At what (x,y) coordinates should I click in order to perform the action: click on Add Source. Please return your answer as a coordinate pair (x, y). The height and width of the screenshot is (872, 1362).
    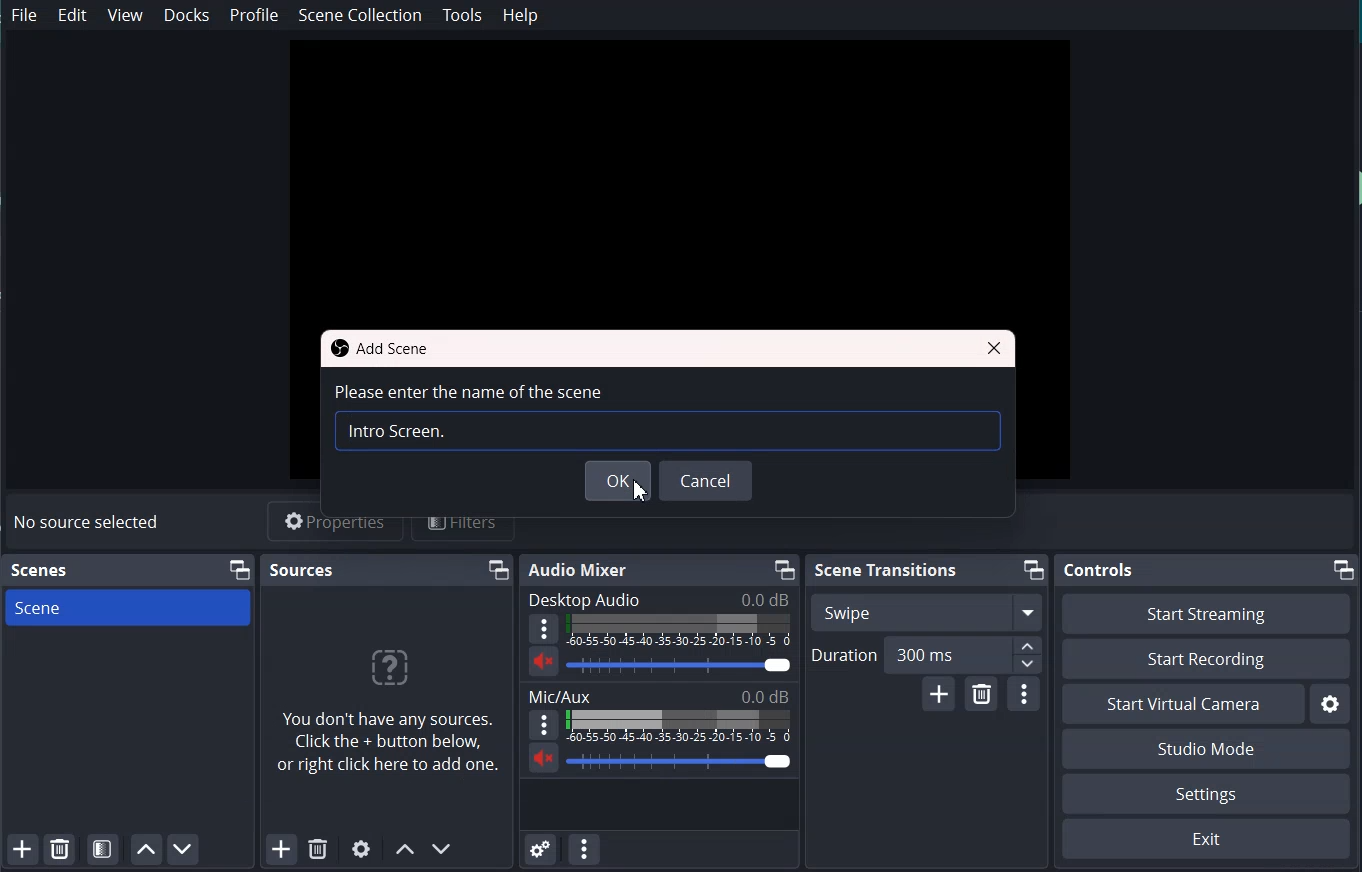
    Looking at the image, I should click on (281, 850).